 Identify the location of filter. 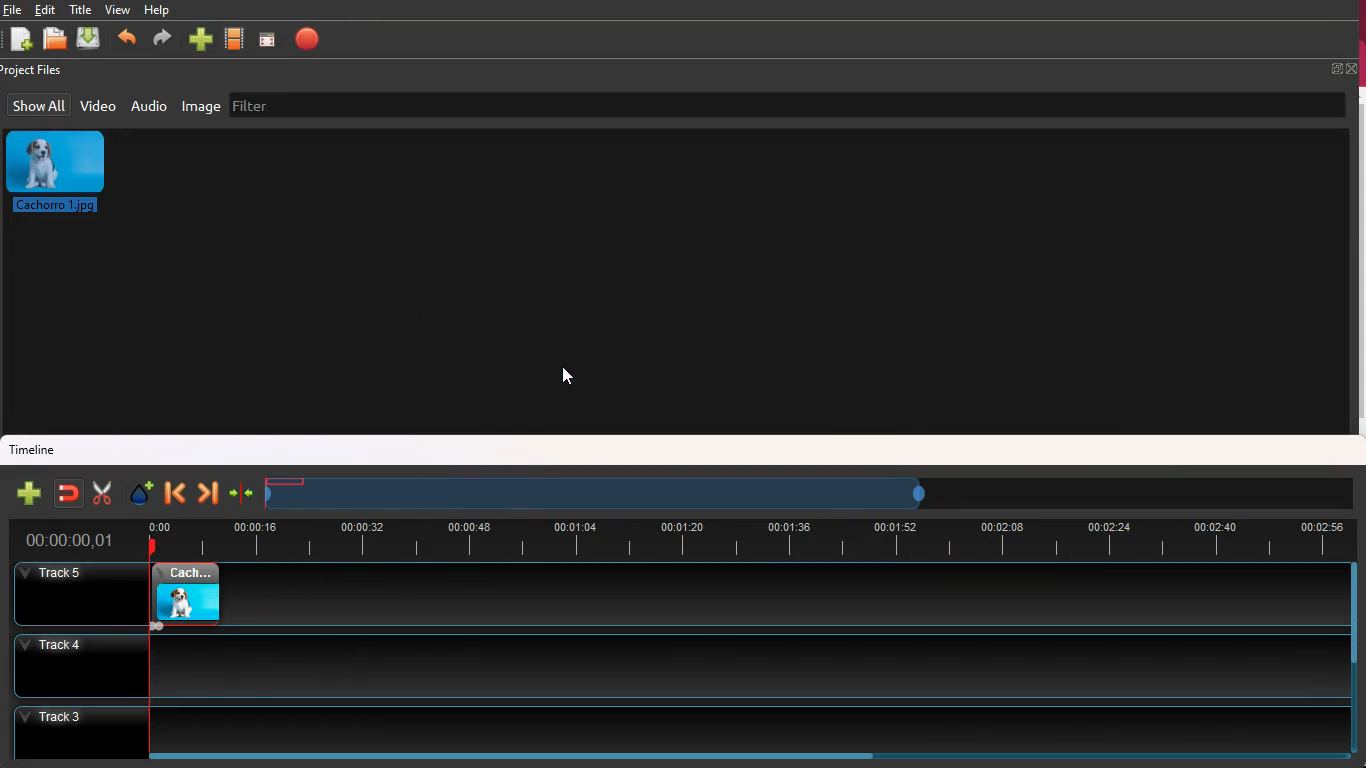
(260, 105).